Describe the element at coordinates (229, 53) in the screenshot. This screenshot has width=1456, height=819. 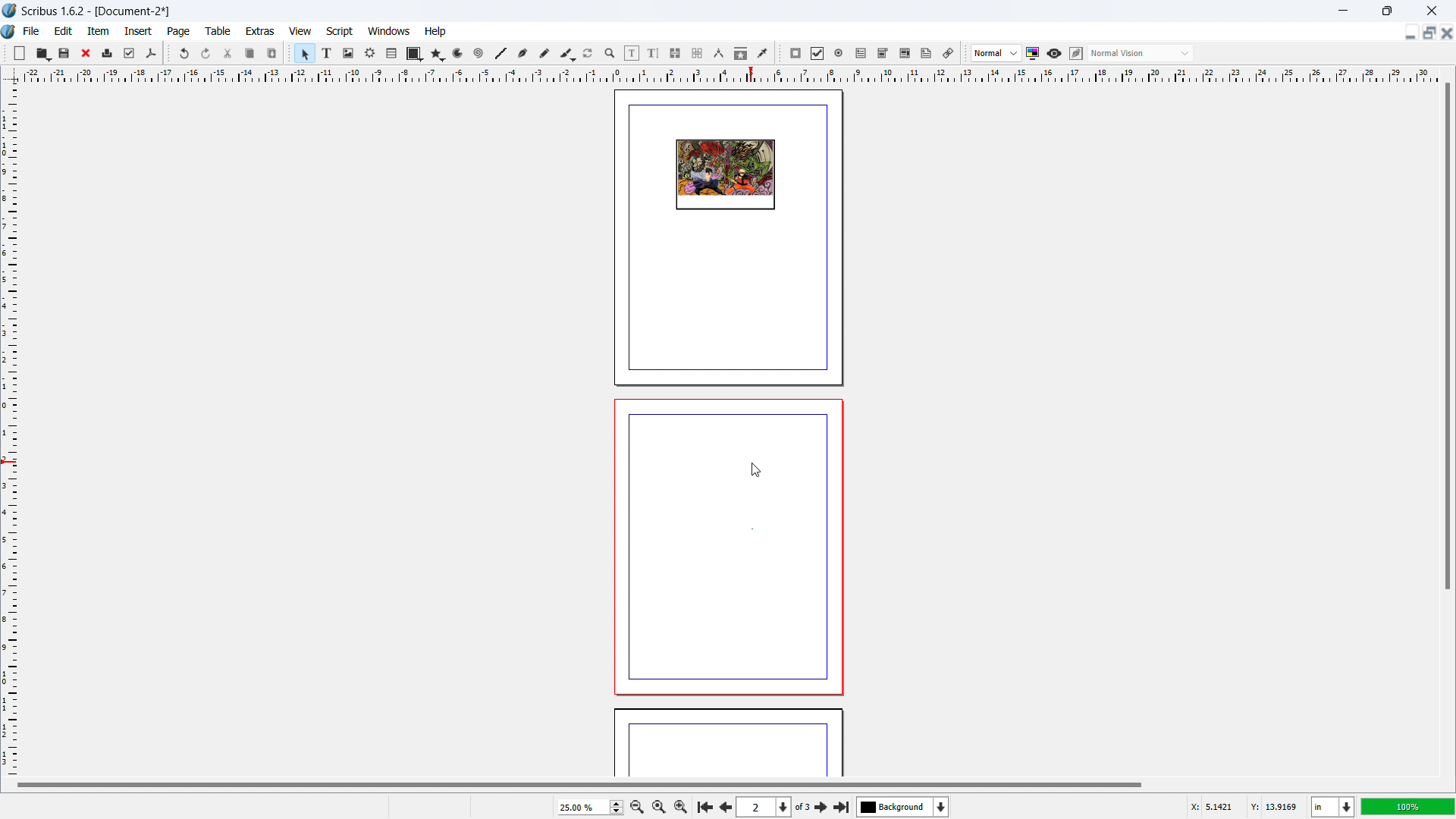
I see `cut` at that location.